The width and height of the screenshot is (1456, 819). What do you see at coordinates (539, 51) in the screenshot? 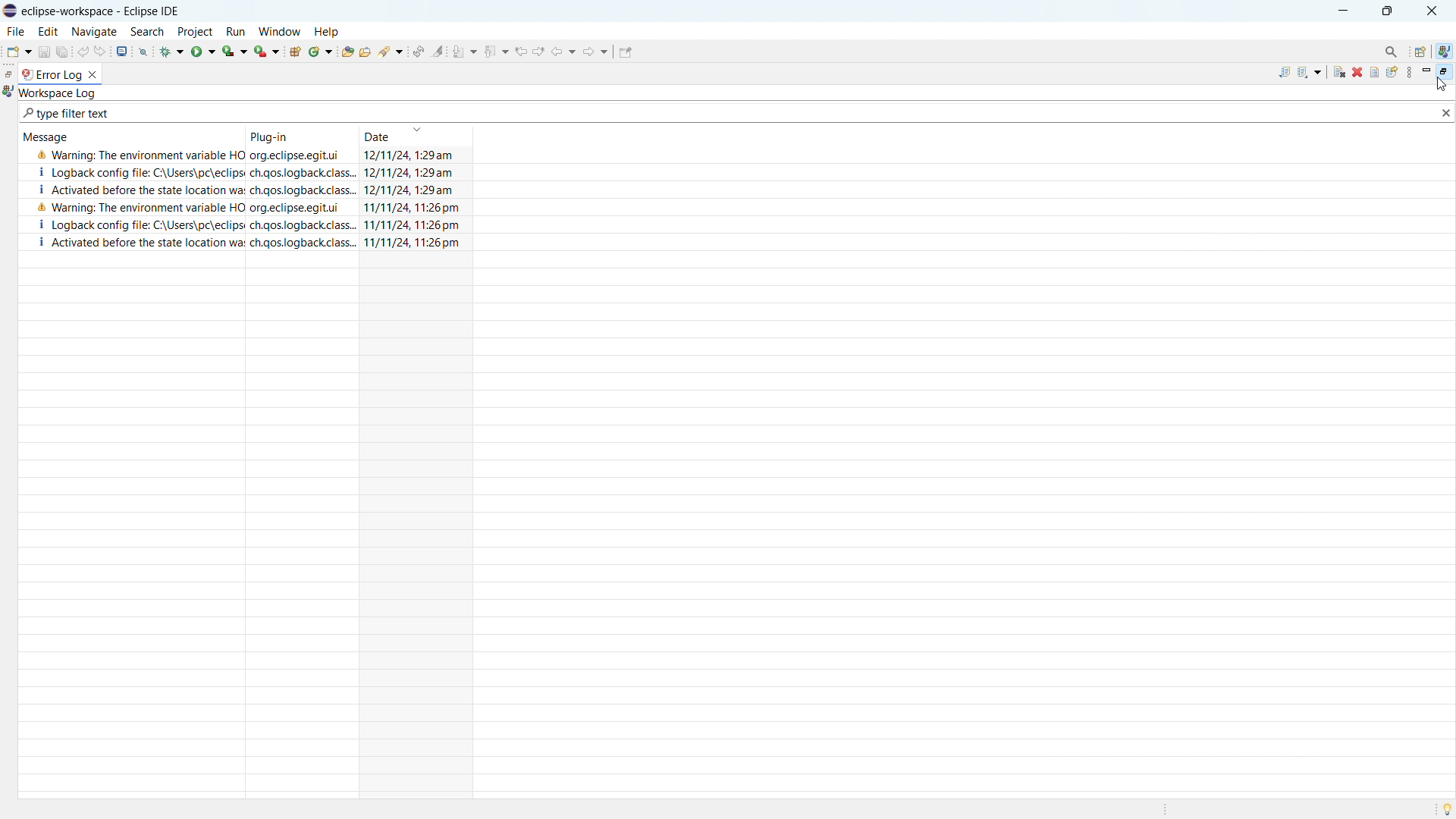
I see `next edit location` at bounding box center [539, 51].